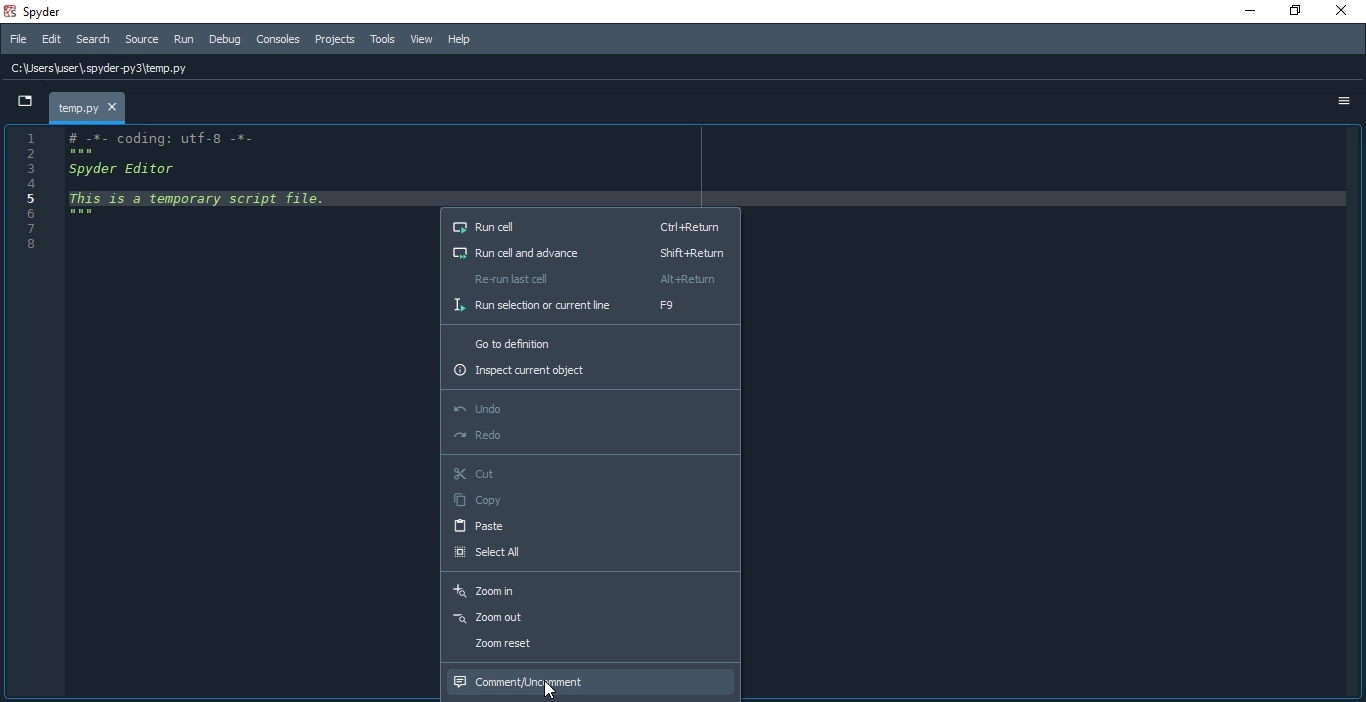  I want to click on Cut, so click(591, 473).